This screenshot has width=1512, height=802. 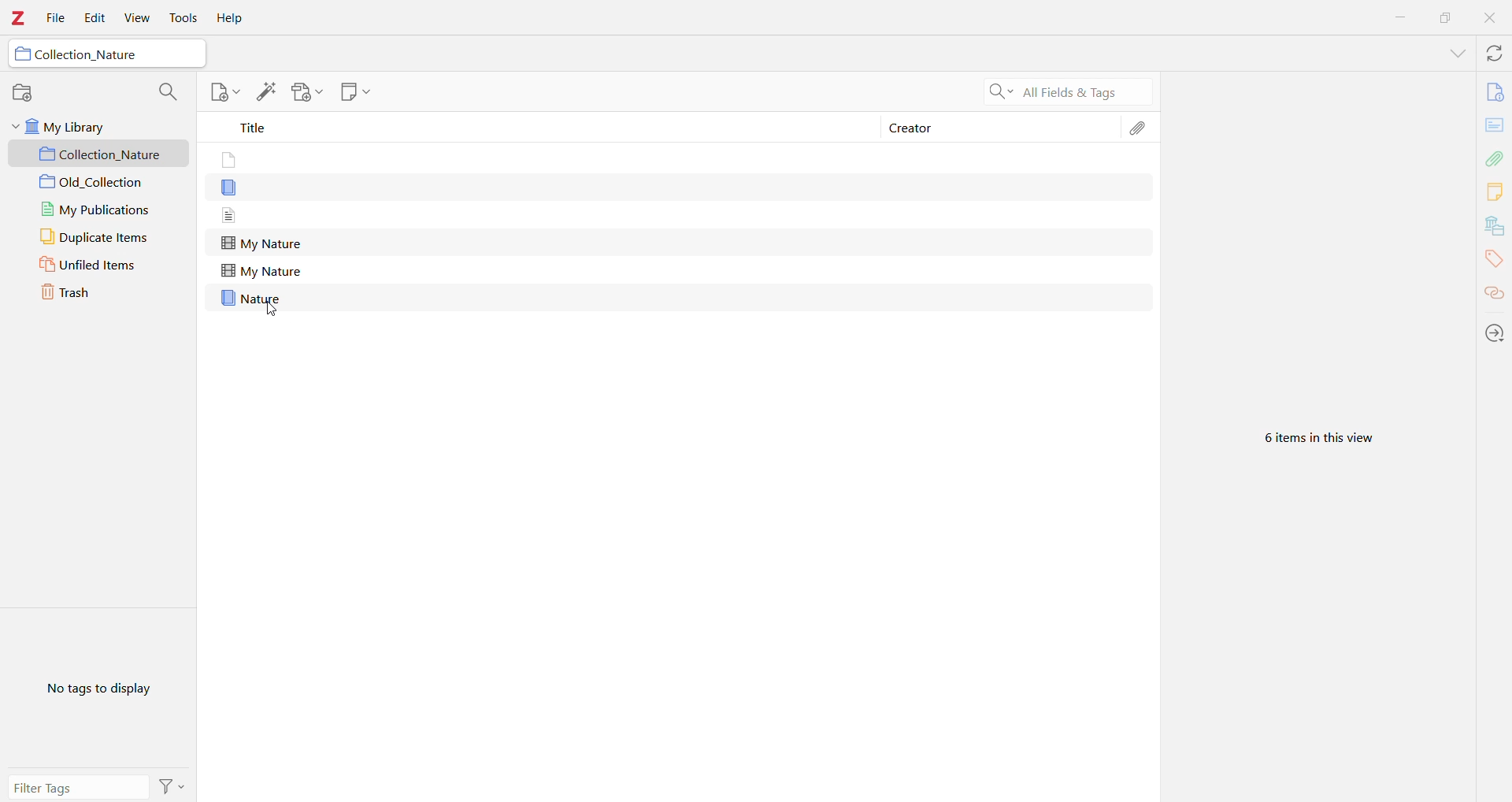 What do you see at coordinates (272, 309) in the screenshot?
I see `cursor` at bounding box center [272, 309].